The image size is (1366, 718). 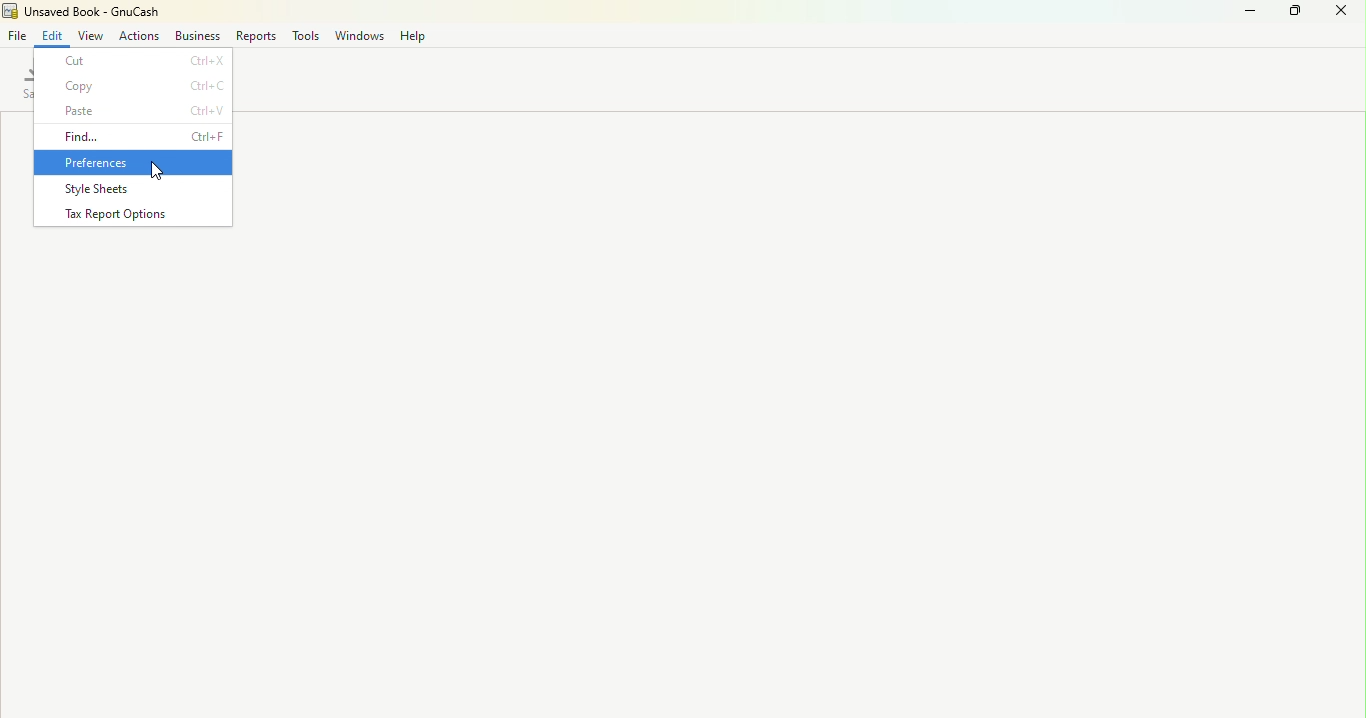 What do you see at coordinates (198, 37) in the screenshot?
I see `Business` at bounding box center [198, 37].